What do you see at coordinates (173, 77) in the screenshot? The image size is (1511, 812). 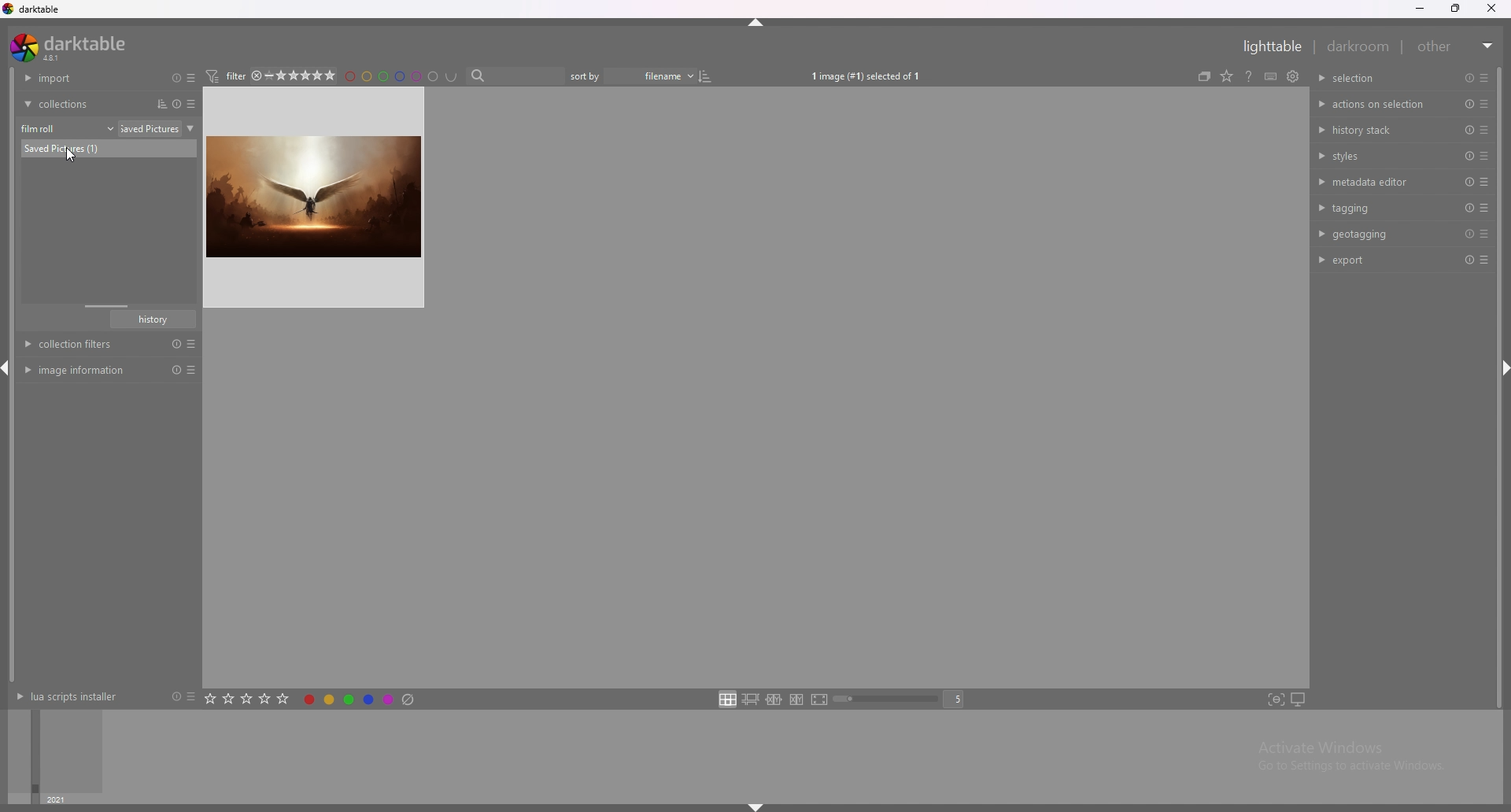 I see `resets` at bounding box center [173, 77].